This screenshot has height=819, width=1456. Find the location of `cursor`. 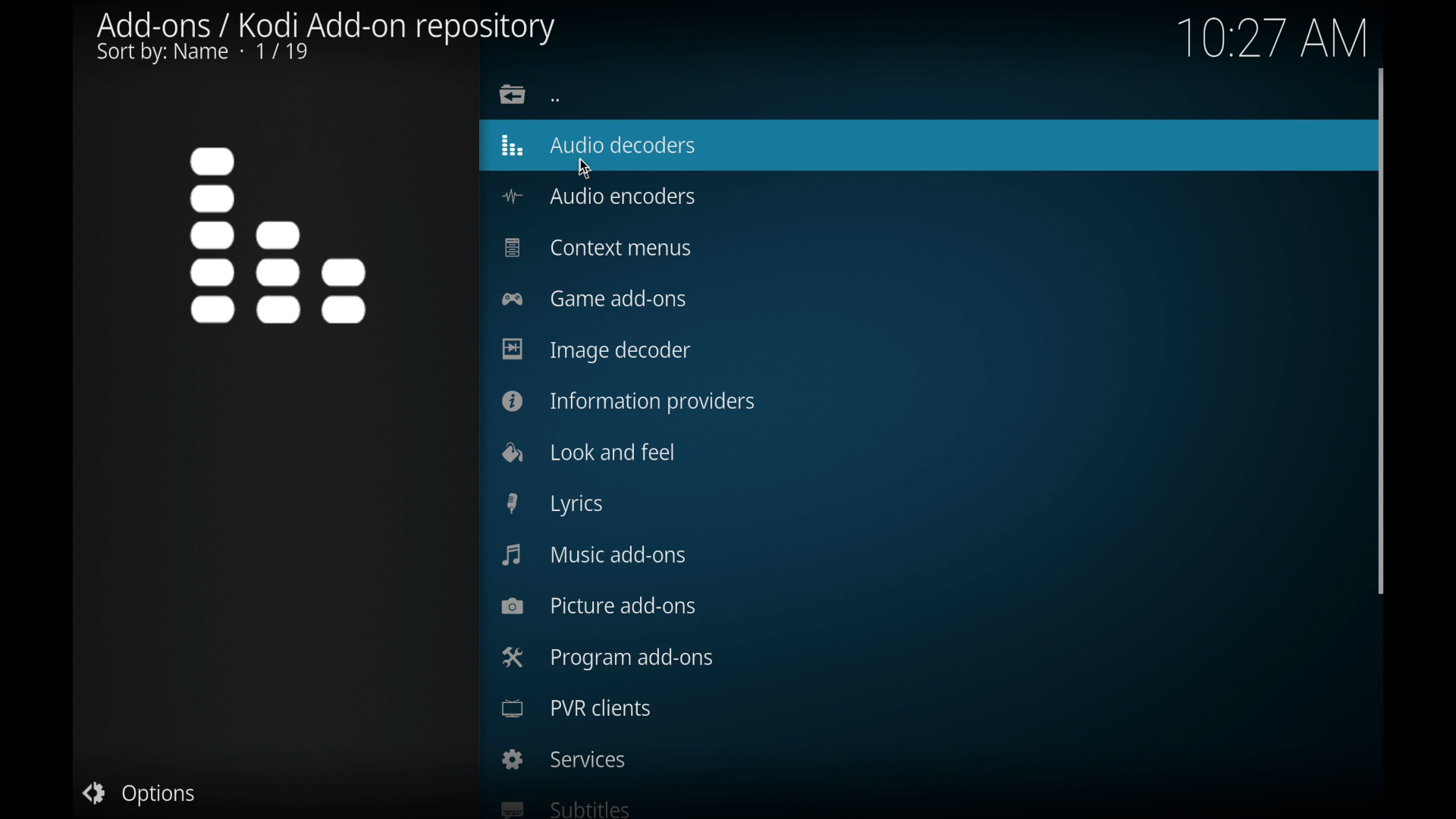

cursor is located at coordinates (584, 169).